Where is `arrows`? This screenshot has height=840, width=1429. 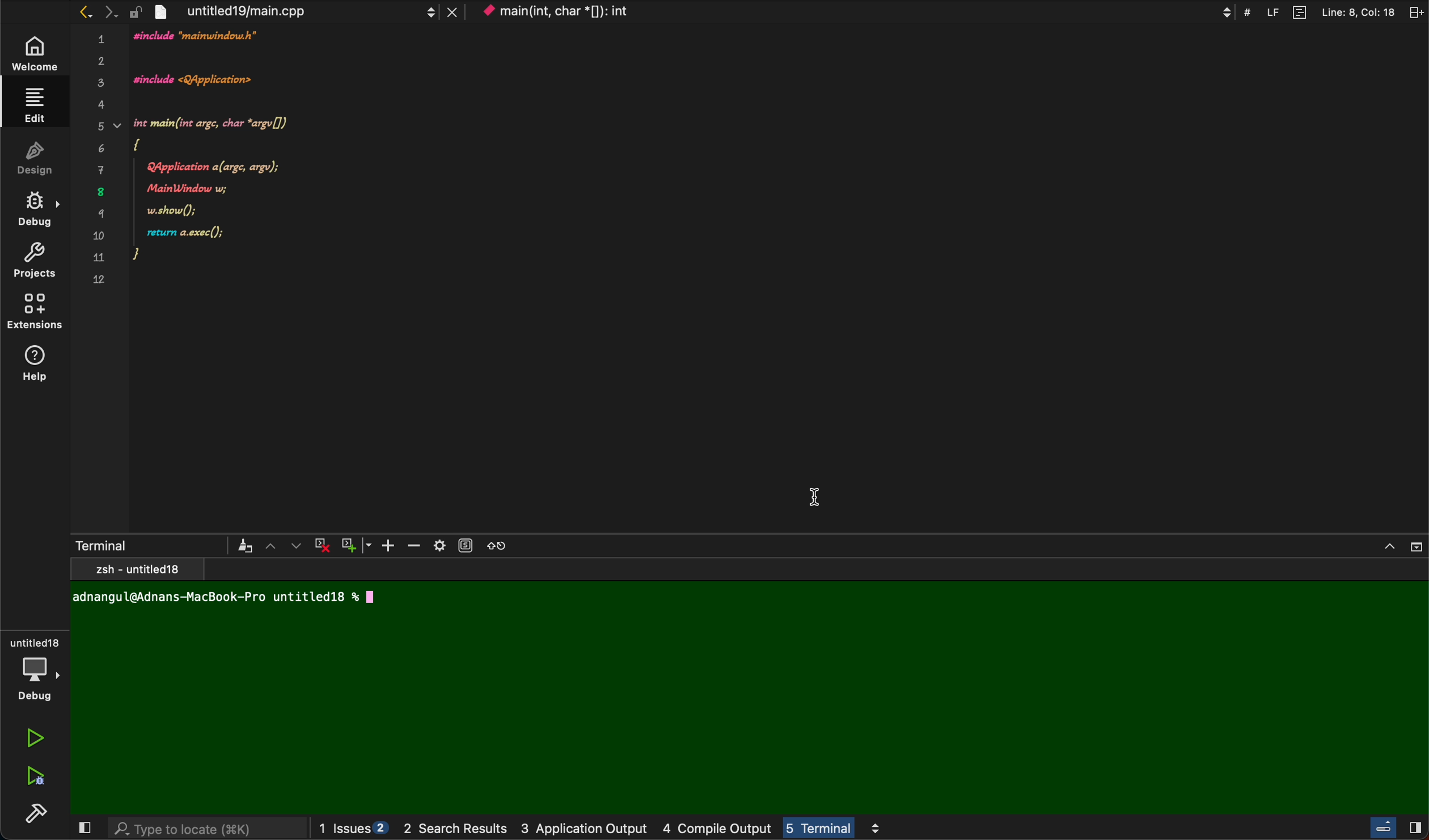 arrows is located at coordinates (97, 11).